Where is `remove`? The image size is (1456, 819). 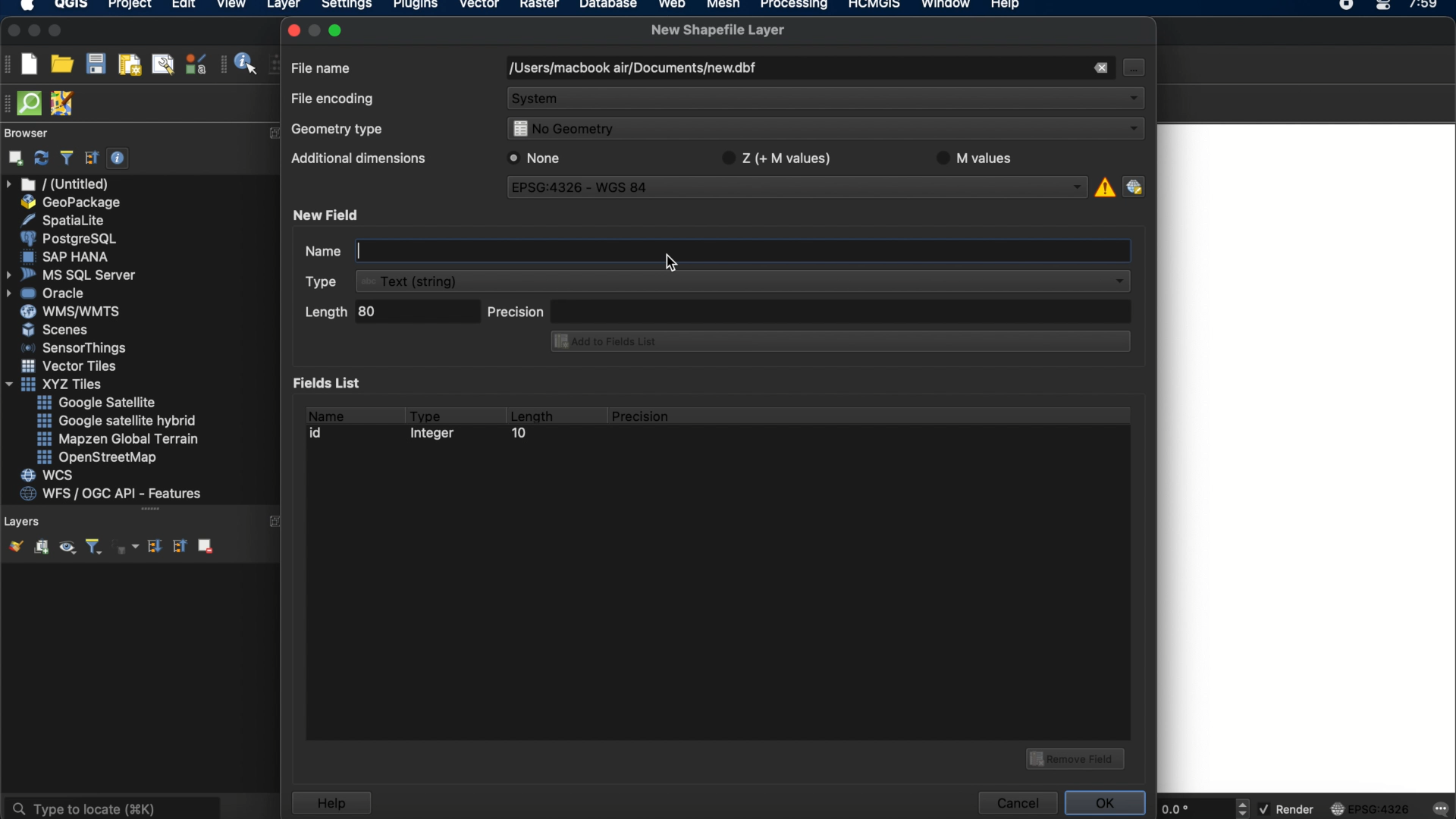
remove is located at coordinates (1100, 68).